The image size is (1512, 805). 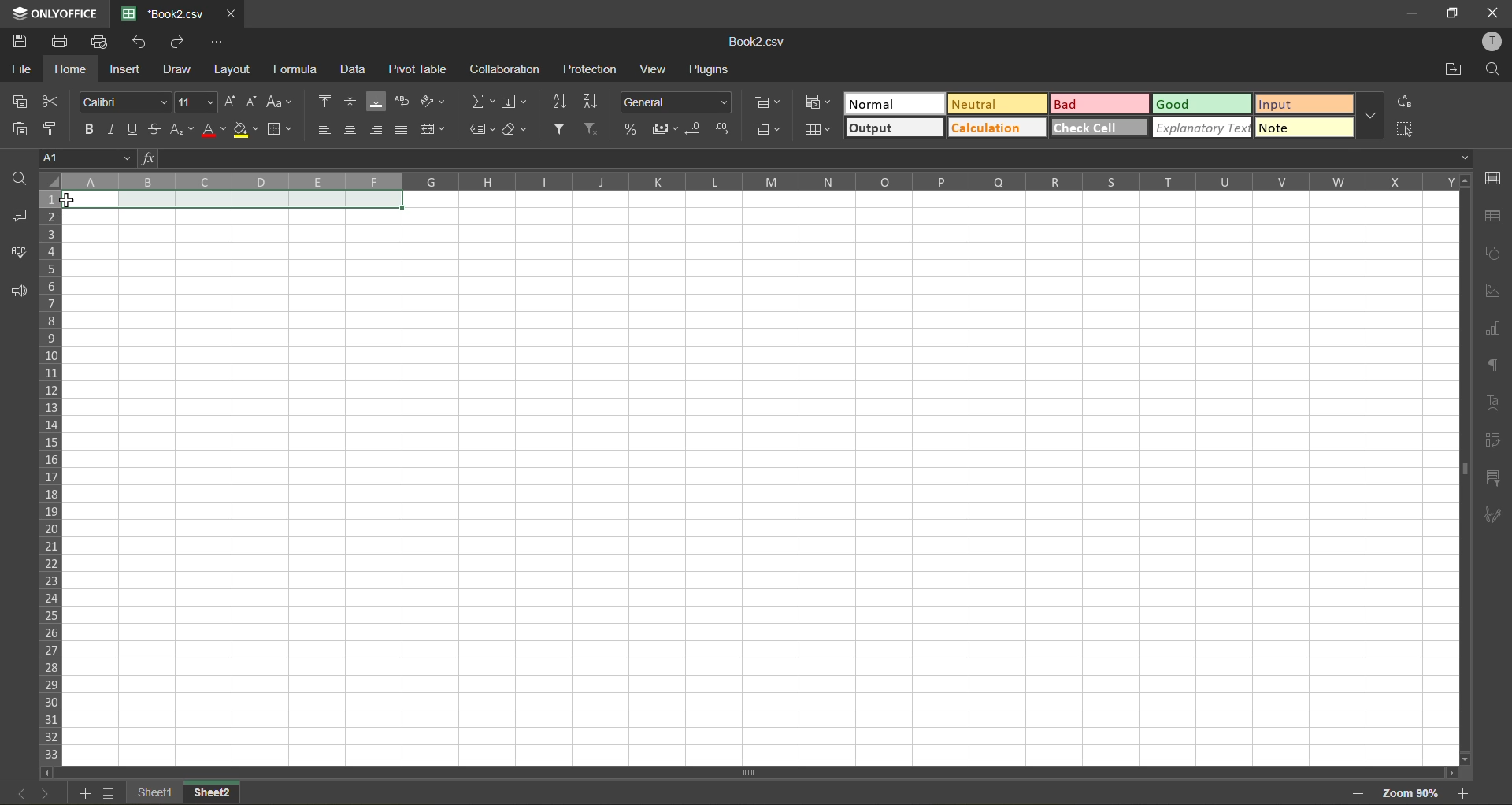 What do you see at coordinates (482, 101) in the screenshot?
I see `summation` at bounding box center [482, 101].